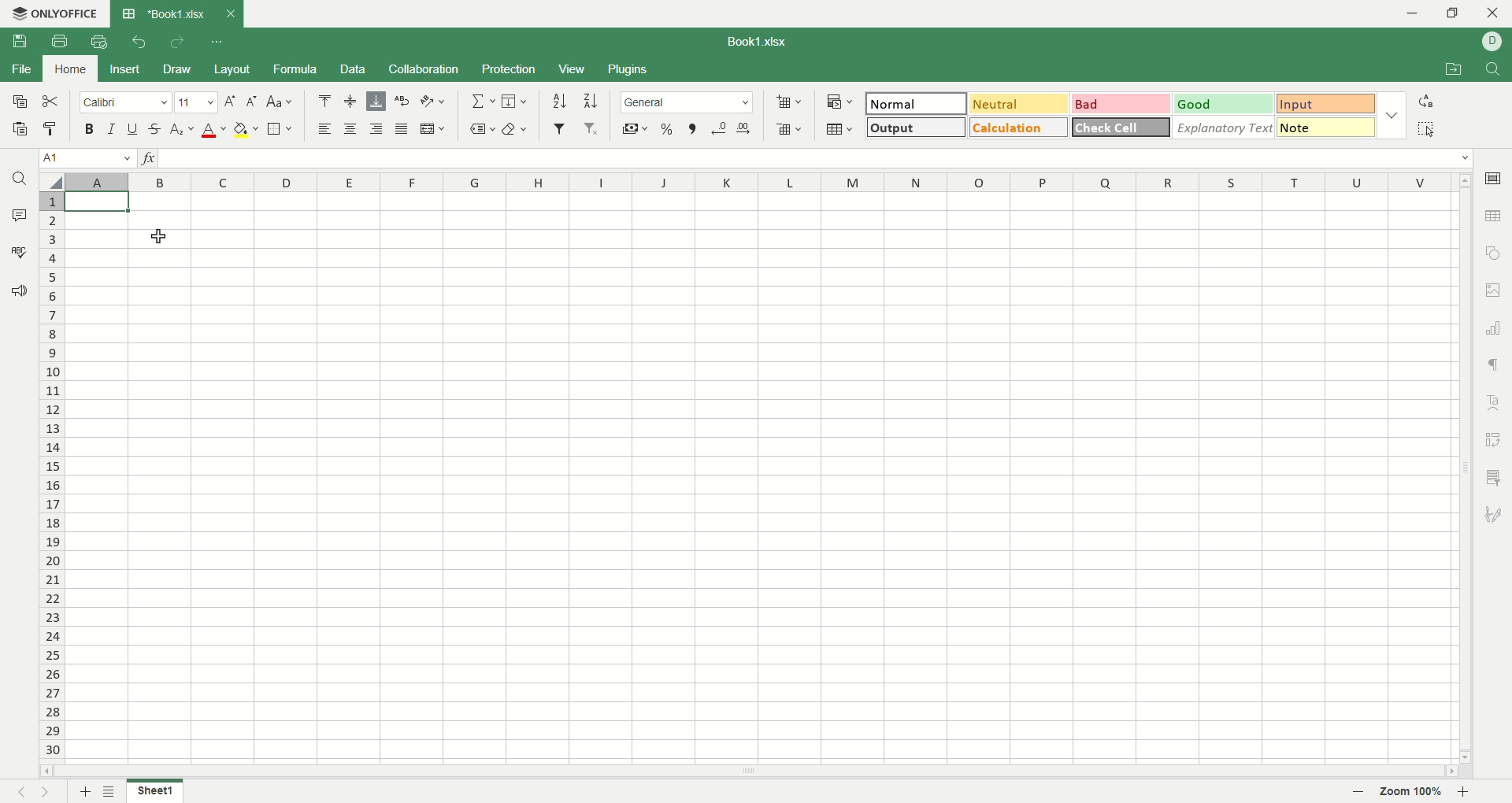 The height and width of the screenshot is (803, 1512). I want to click on select all, so click(52, 182).